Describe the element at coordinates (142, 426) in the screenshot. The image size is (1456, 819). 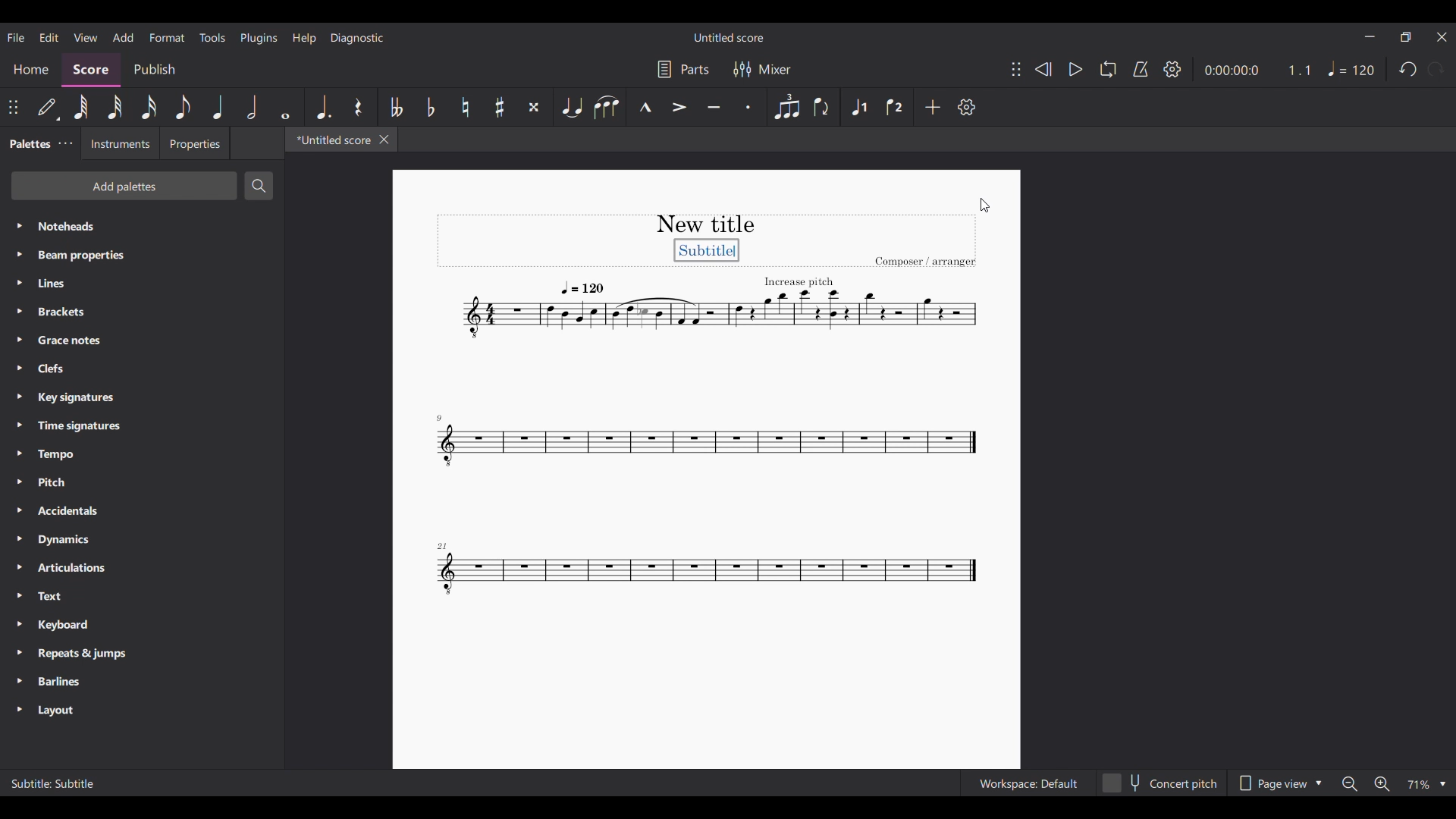
I see `Time signatures` at that location.